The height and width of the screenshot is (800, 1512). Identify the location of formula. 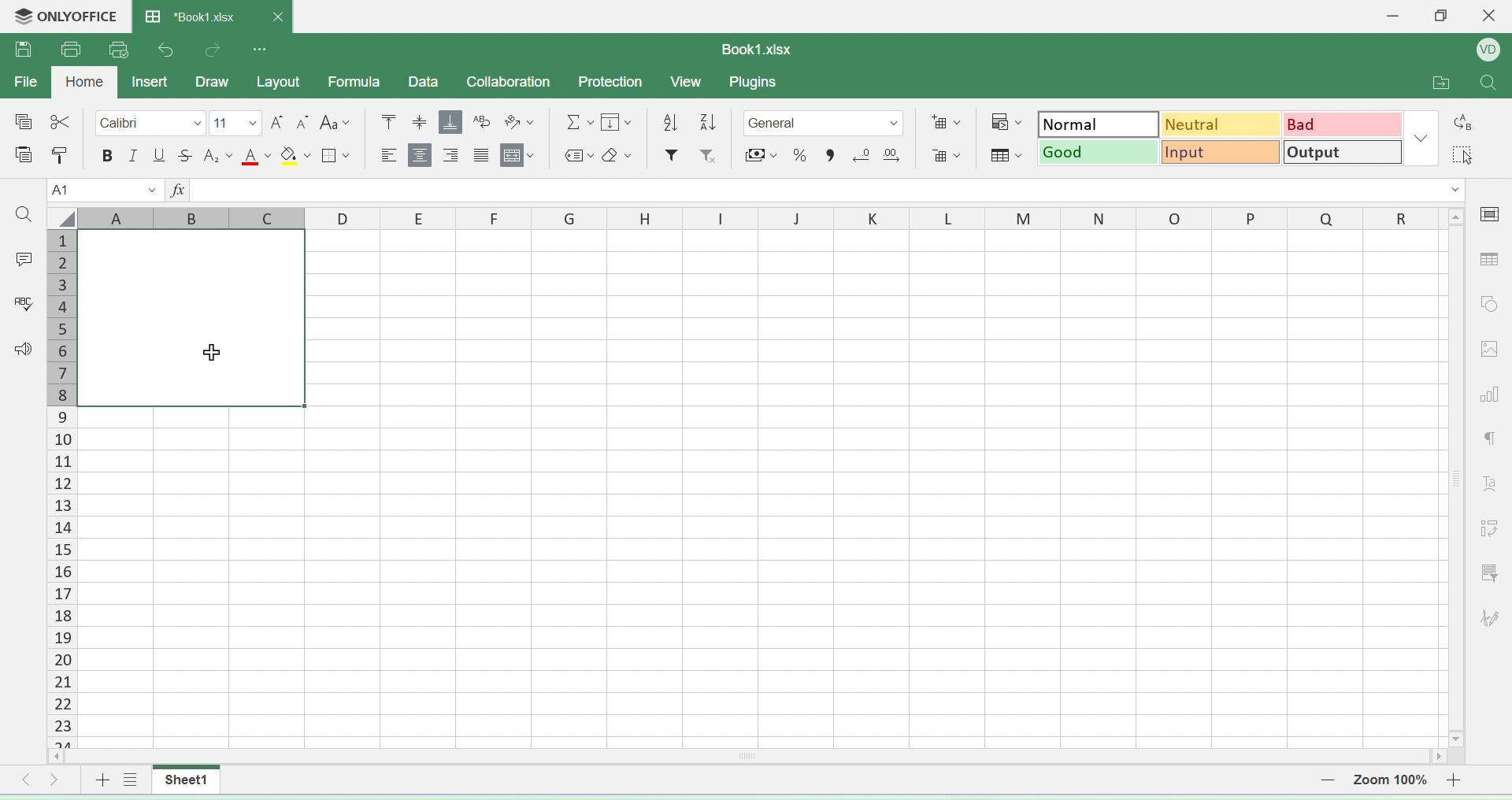
(358, 82).